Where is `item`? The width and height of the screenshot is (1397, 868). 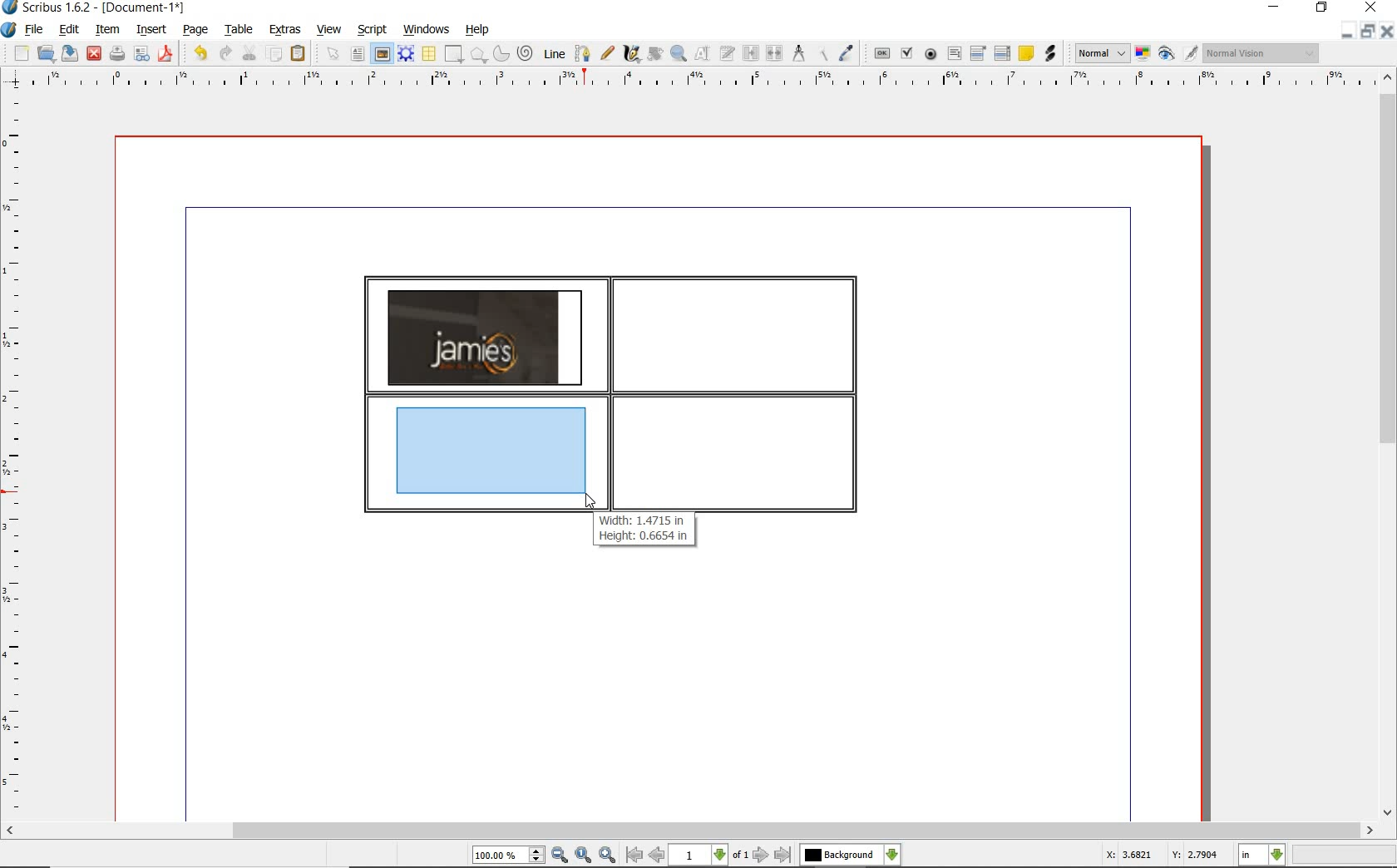 item is located at coordinates (106, 30).